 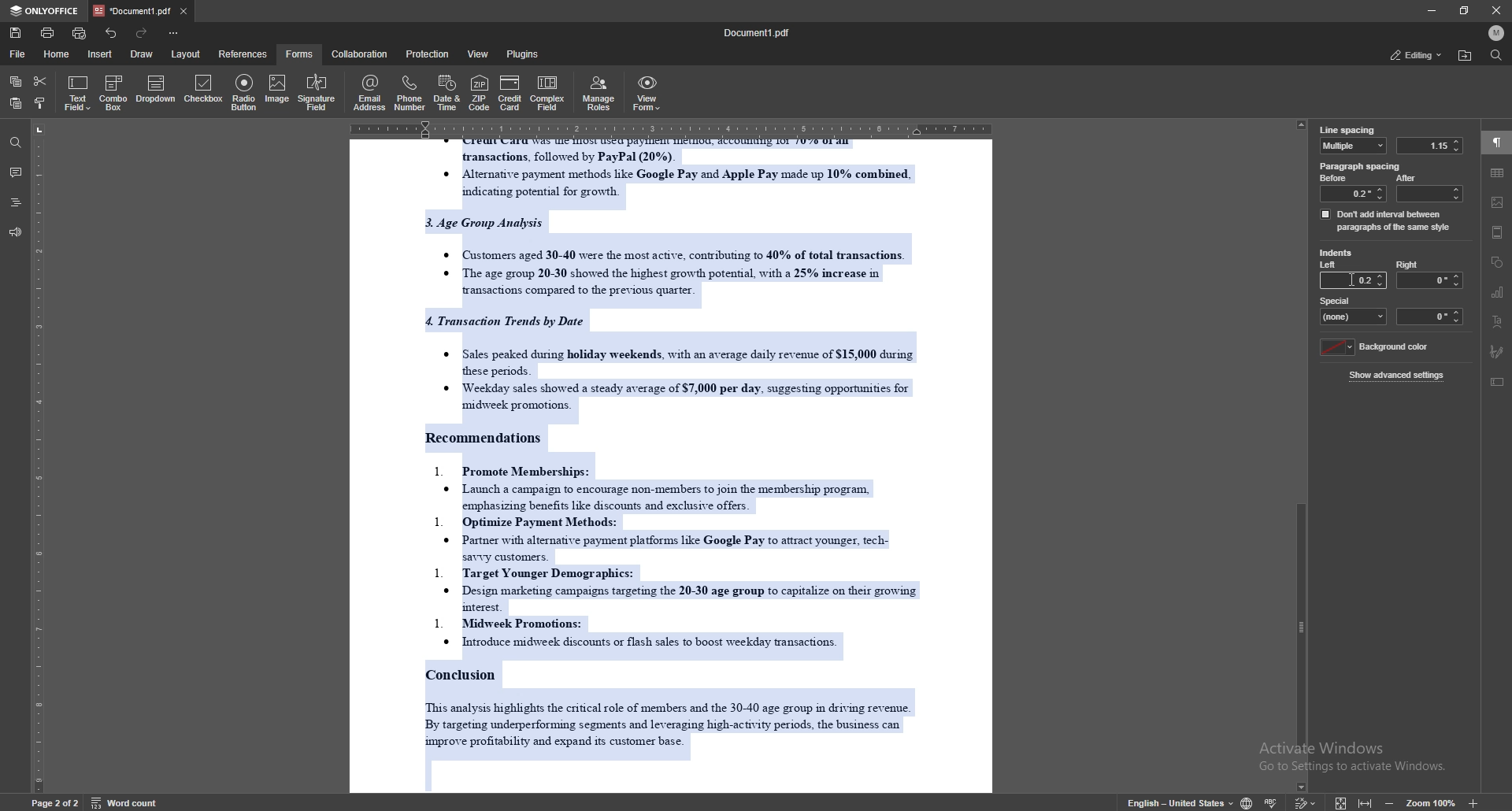 What do you see at coordinates (123, 802) in the screenshot?
I see `word count` at bounding box center [123, 802].